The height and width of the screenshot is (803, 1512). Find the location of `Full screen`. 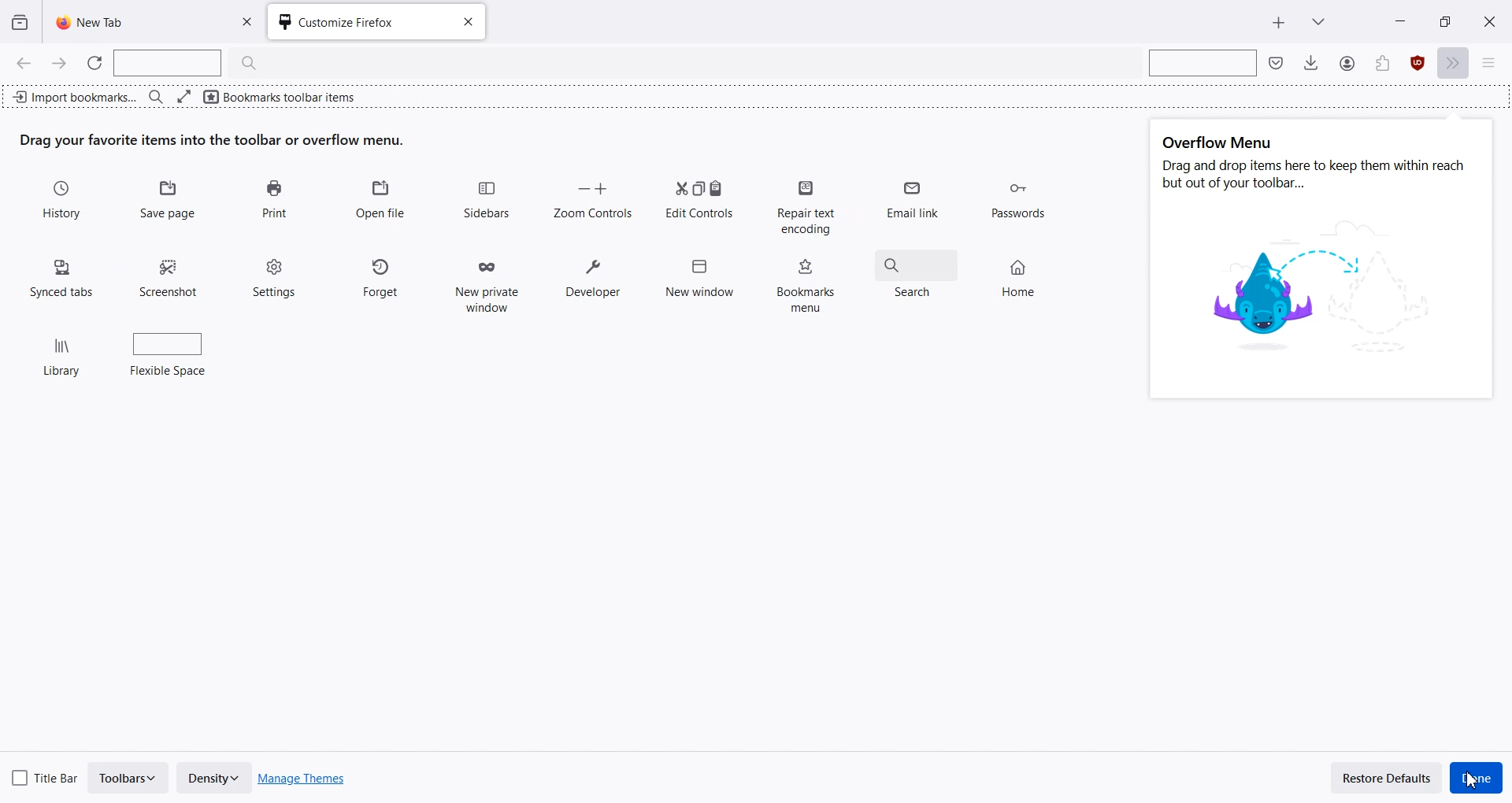

Full screen is located at coordinates (184, 96).